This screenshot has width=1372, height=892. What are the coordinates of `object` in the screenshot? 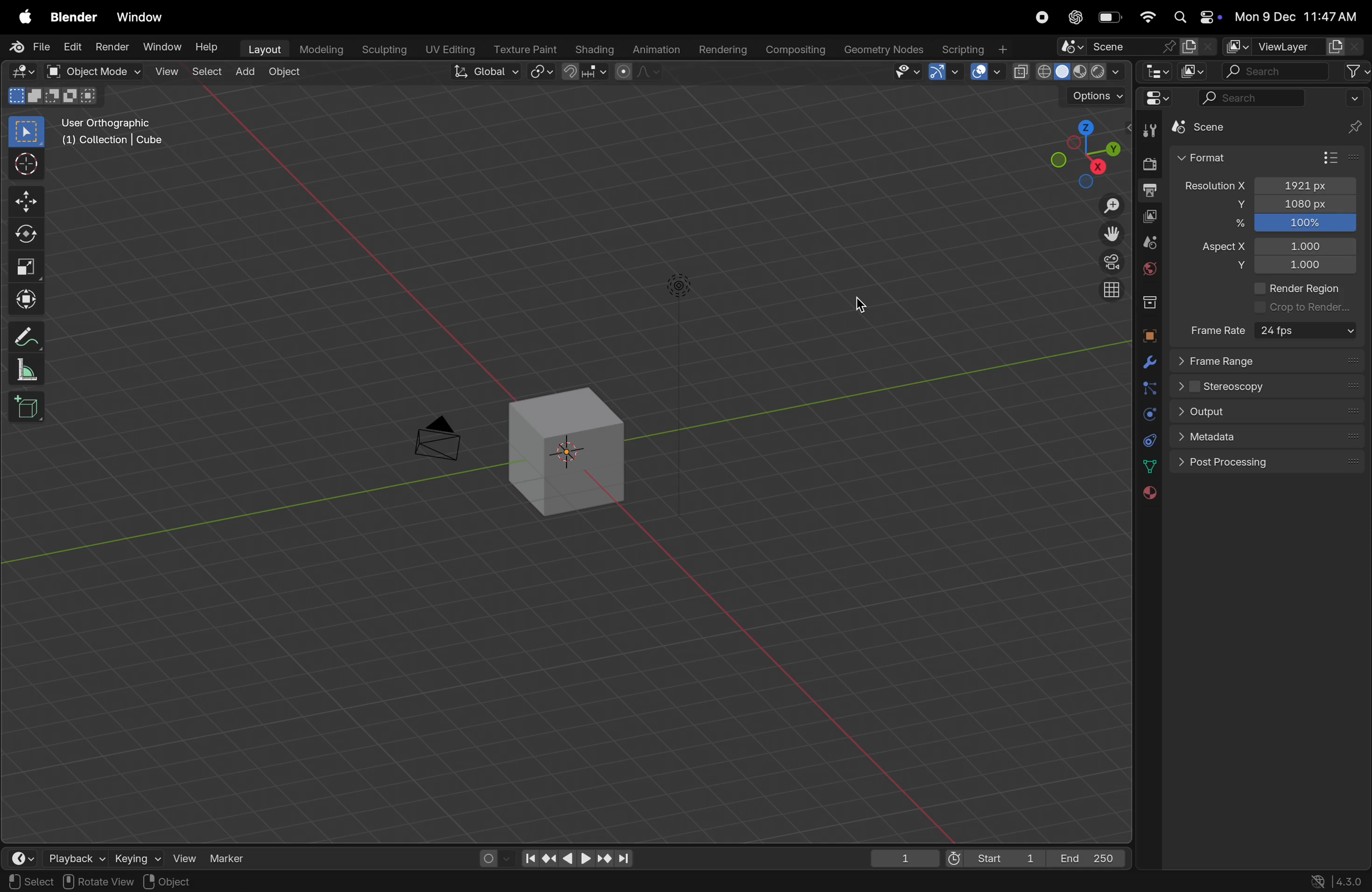 It's located at (282, 74).